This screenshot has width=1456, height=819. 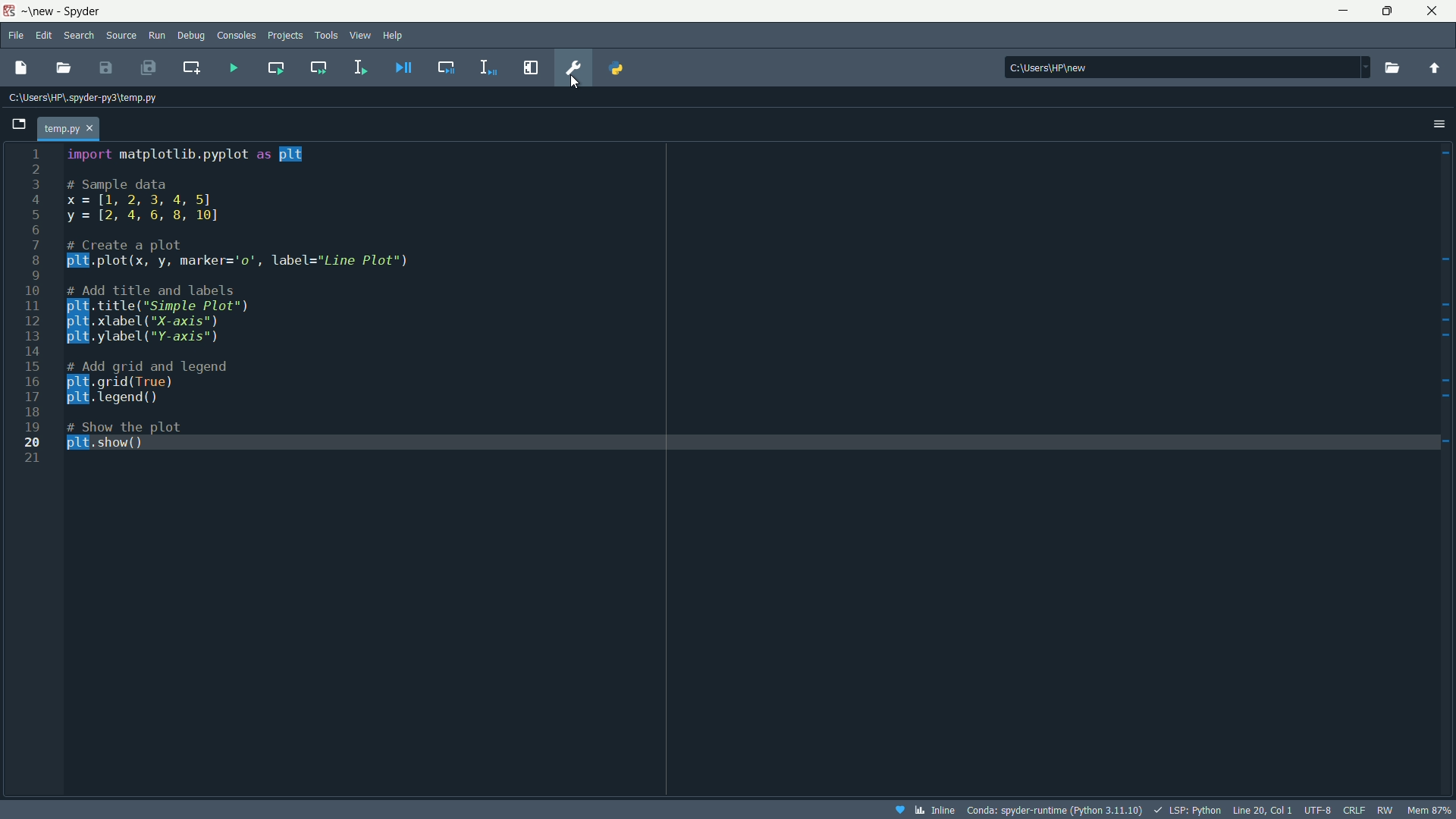 What do you see at coordinates (1436, 11) in the screenshot?
I see `close app` at bounding box center [1436, 11].